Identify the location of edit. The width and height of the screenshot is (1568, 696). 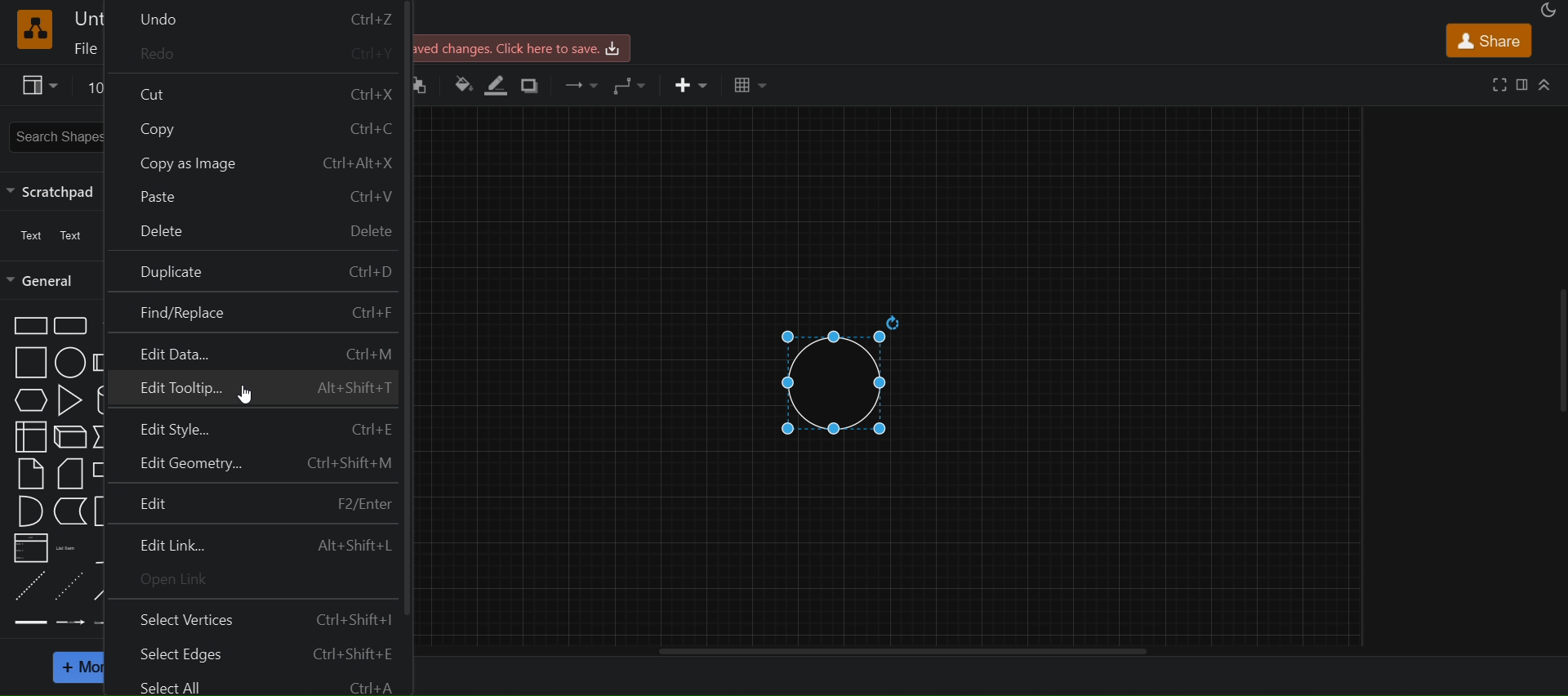
(252, 502).